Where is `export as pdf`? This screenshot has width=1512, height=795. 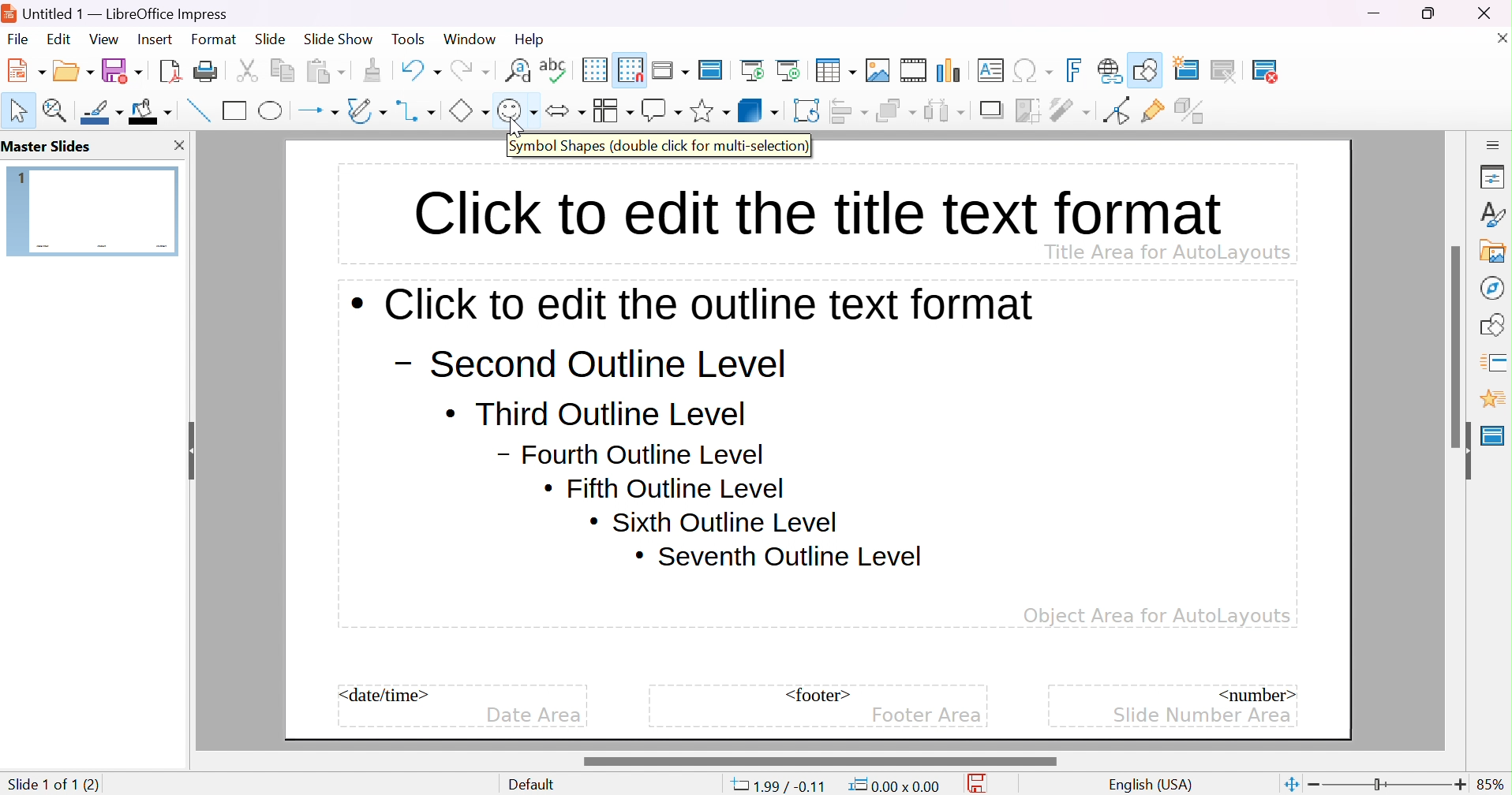 export as pdf is located at coordinates (168, 70).